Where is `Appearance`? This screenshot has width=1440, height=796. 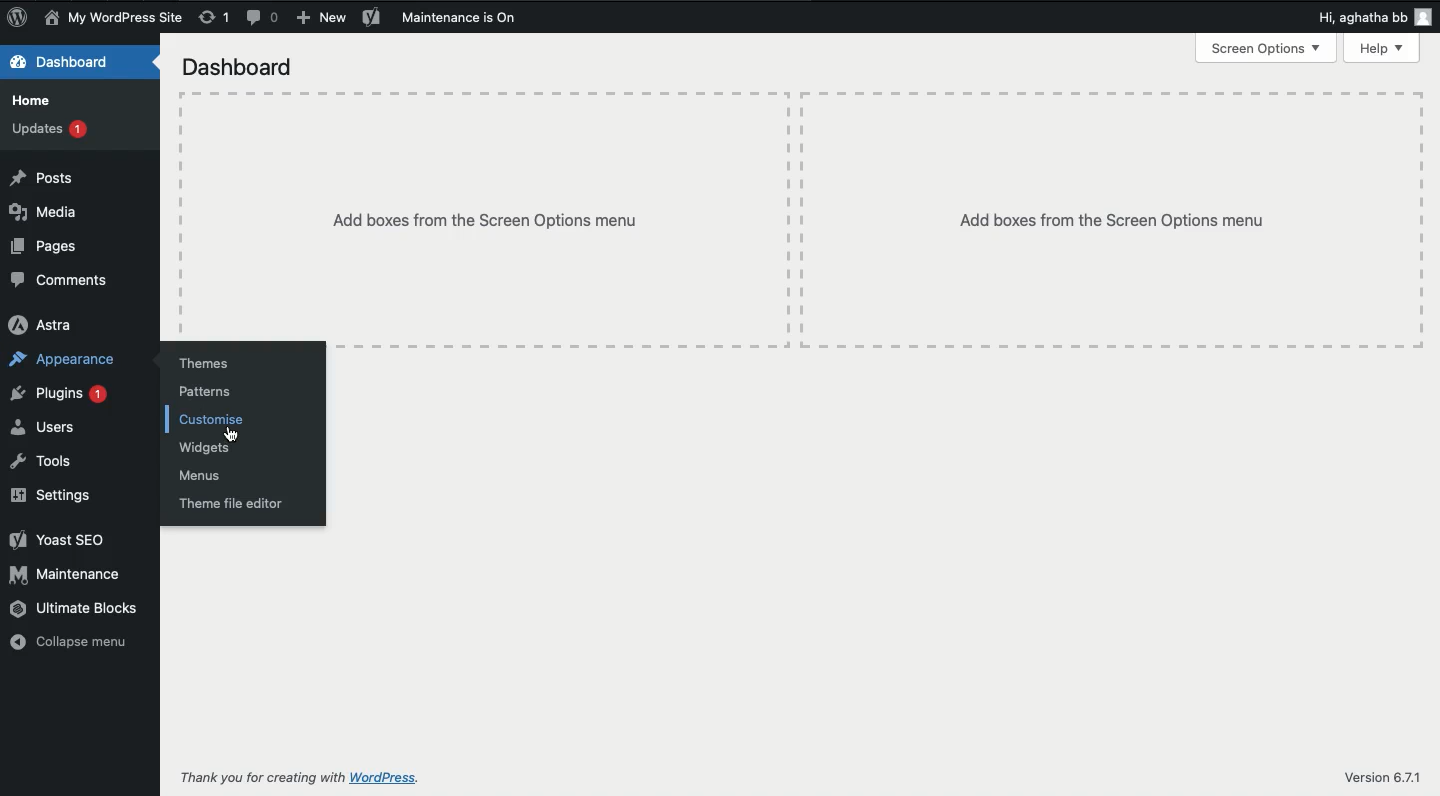
Appearance is located at coordinates (64, 362).